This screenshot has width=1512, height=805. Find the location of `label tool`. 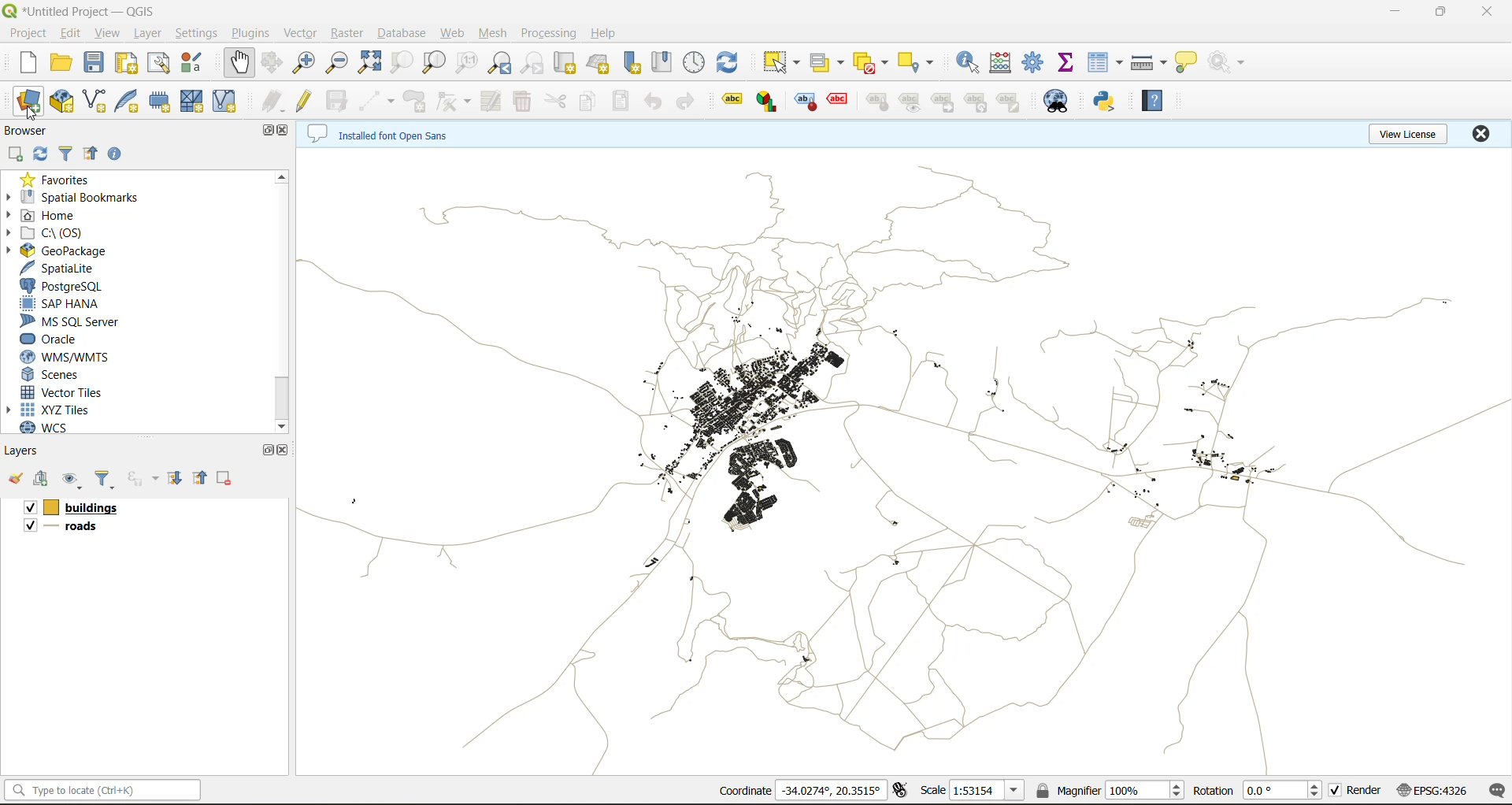

label tool is located at coordinates (909, 102).